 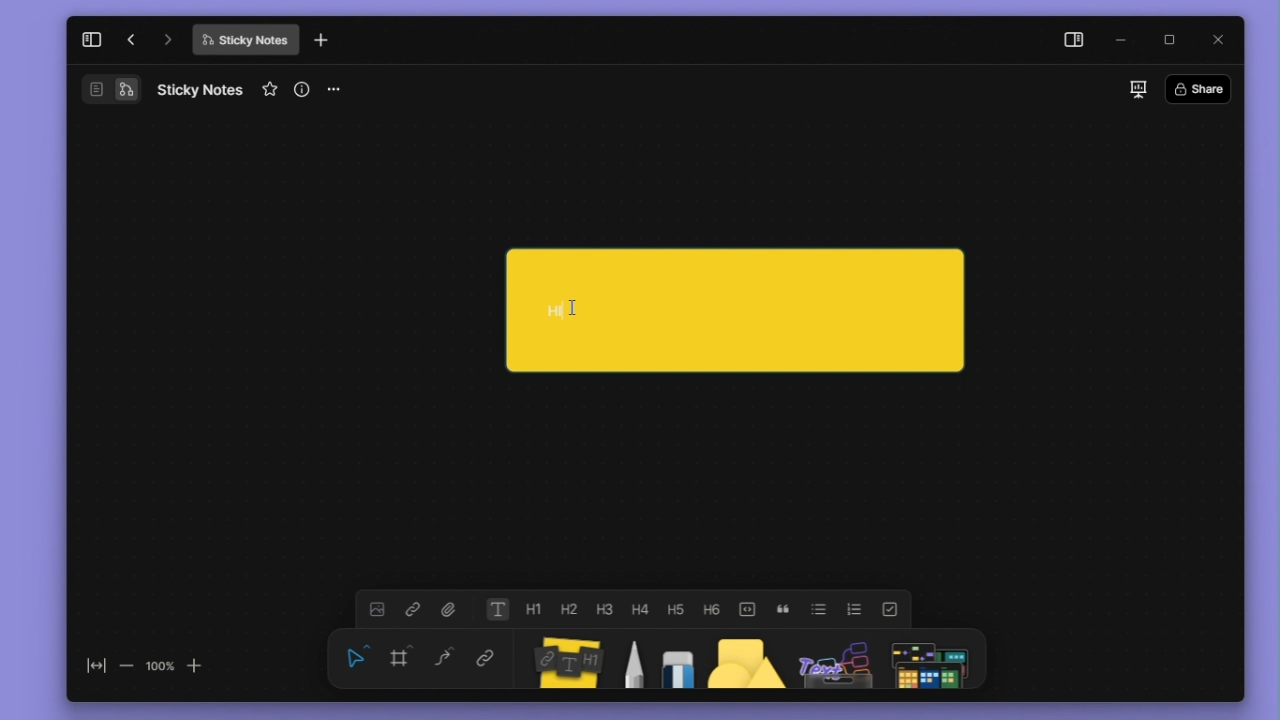 What do you see at coordinates (855, 609) in the screenshot?
I see `numbered list` at bounding box center [855, 609].